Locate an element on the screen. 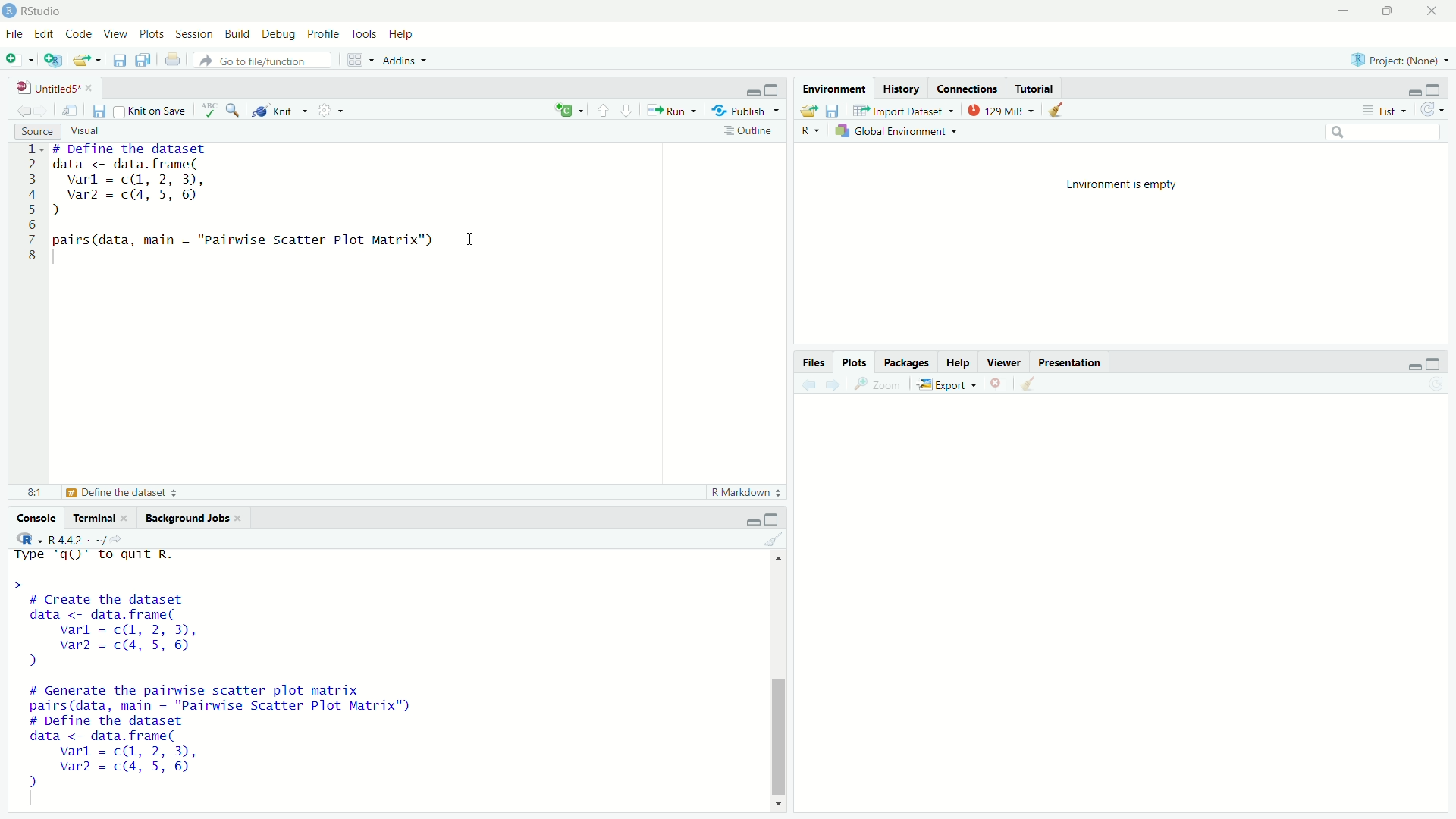 The height and width of the screenshot is (819, 1456). Knit on Save is located at coordinates (154, 110).